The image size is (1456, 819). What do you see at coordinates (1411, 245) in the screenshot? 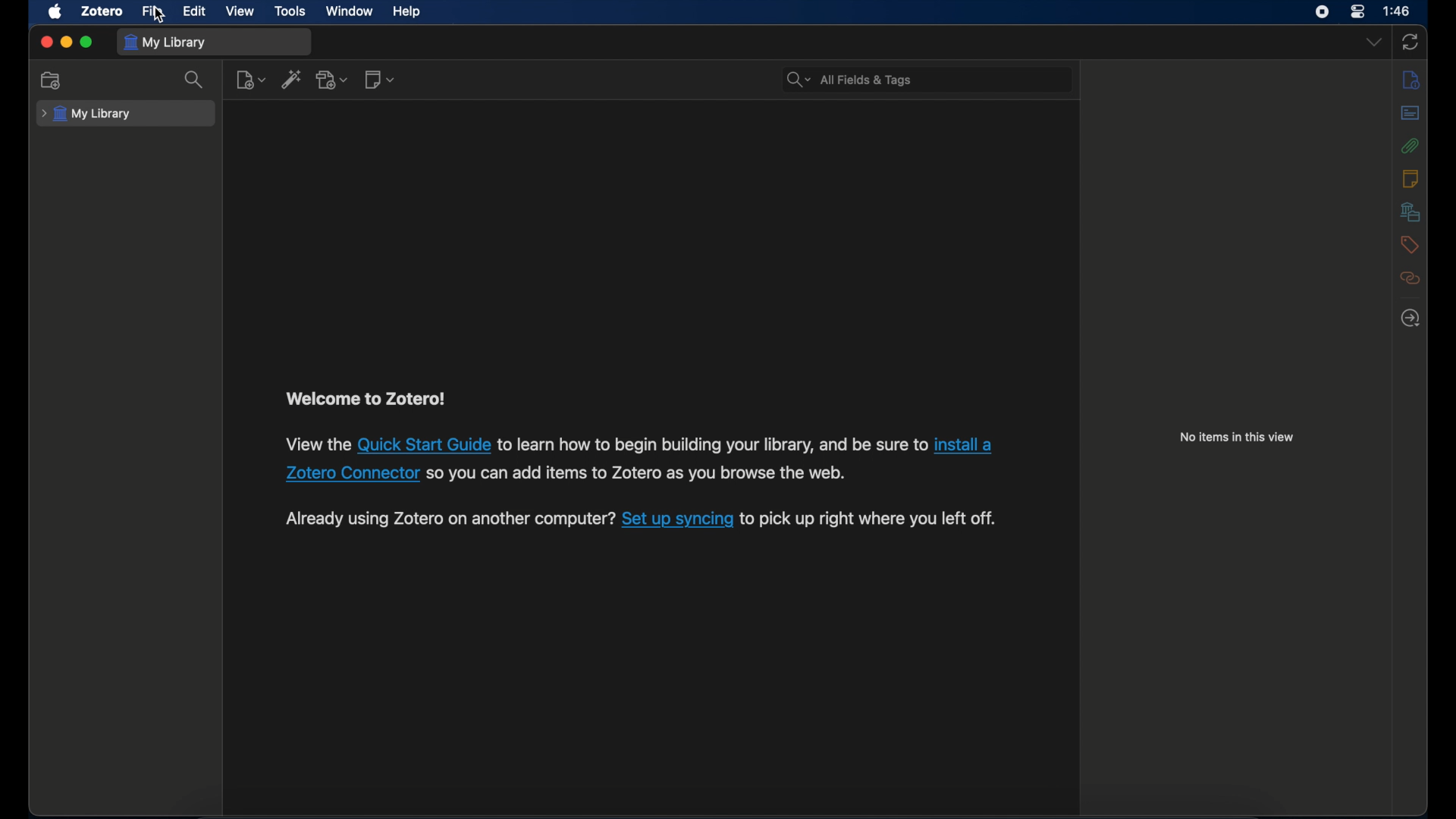
I see `tags` at bounding box center [1411, 245].